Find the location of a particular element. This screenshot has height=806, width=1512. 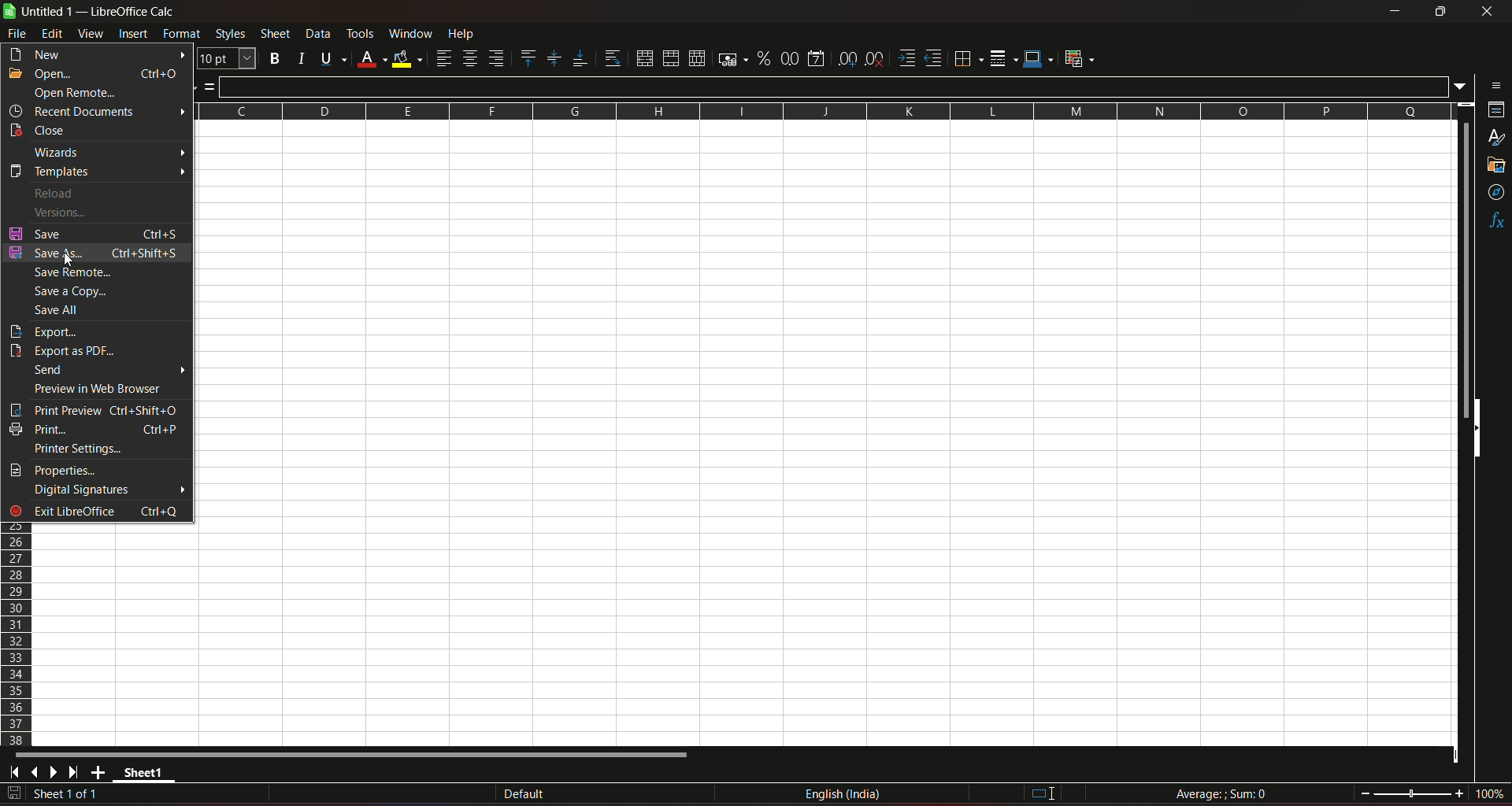

preview in web browser is located at coordinates (99, 389).